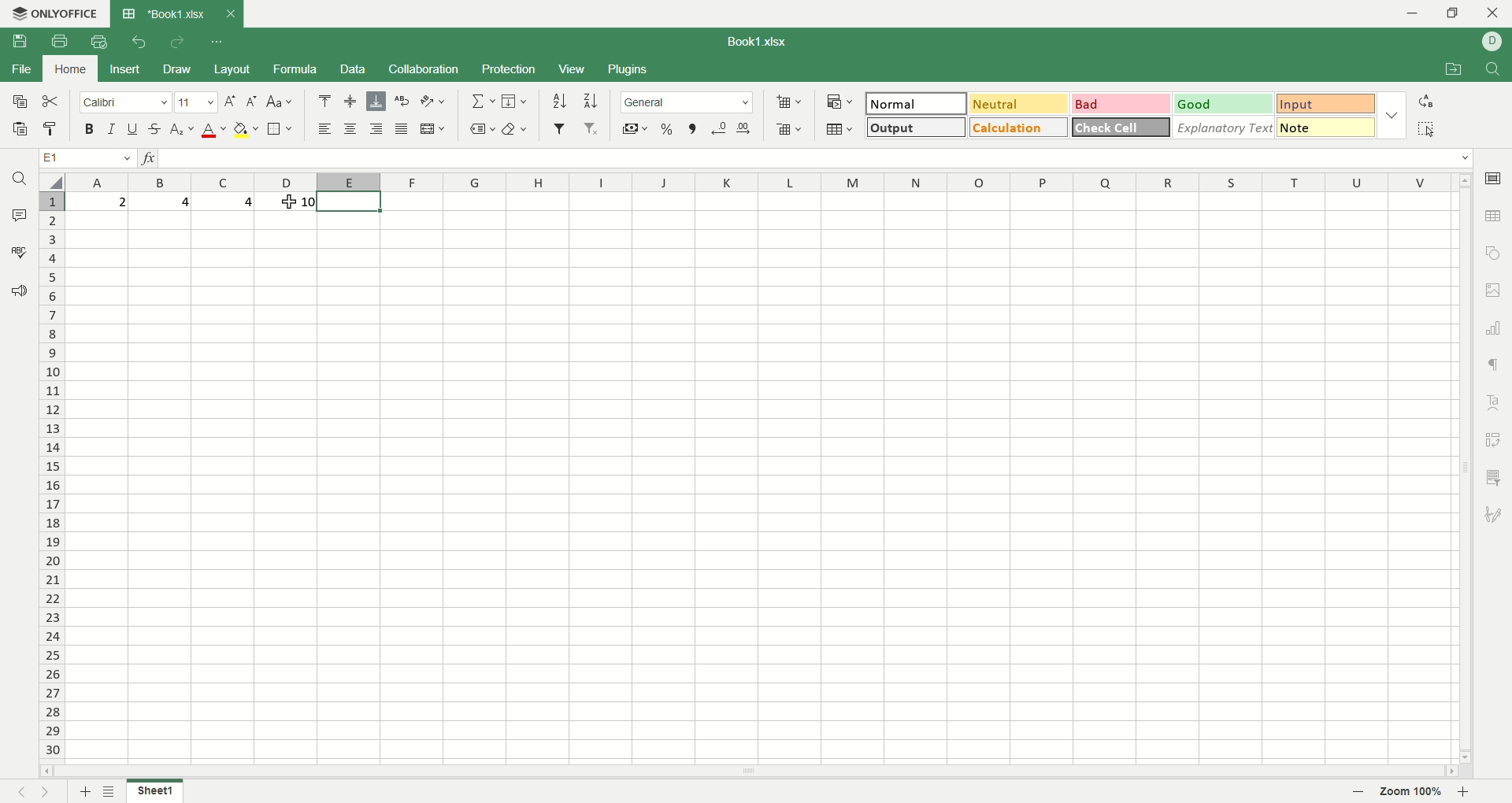 This screenshot has height=803, width=1512. What do you see at coordinates (46, 479) in the screenshot?
I see `rows` at bounding box center [46, 479].